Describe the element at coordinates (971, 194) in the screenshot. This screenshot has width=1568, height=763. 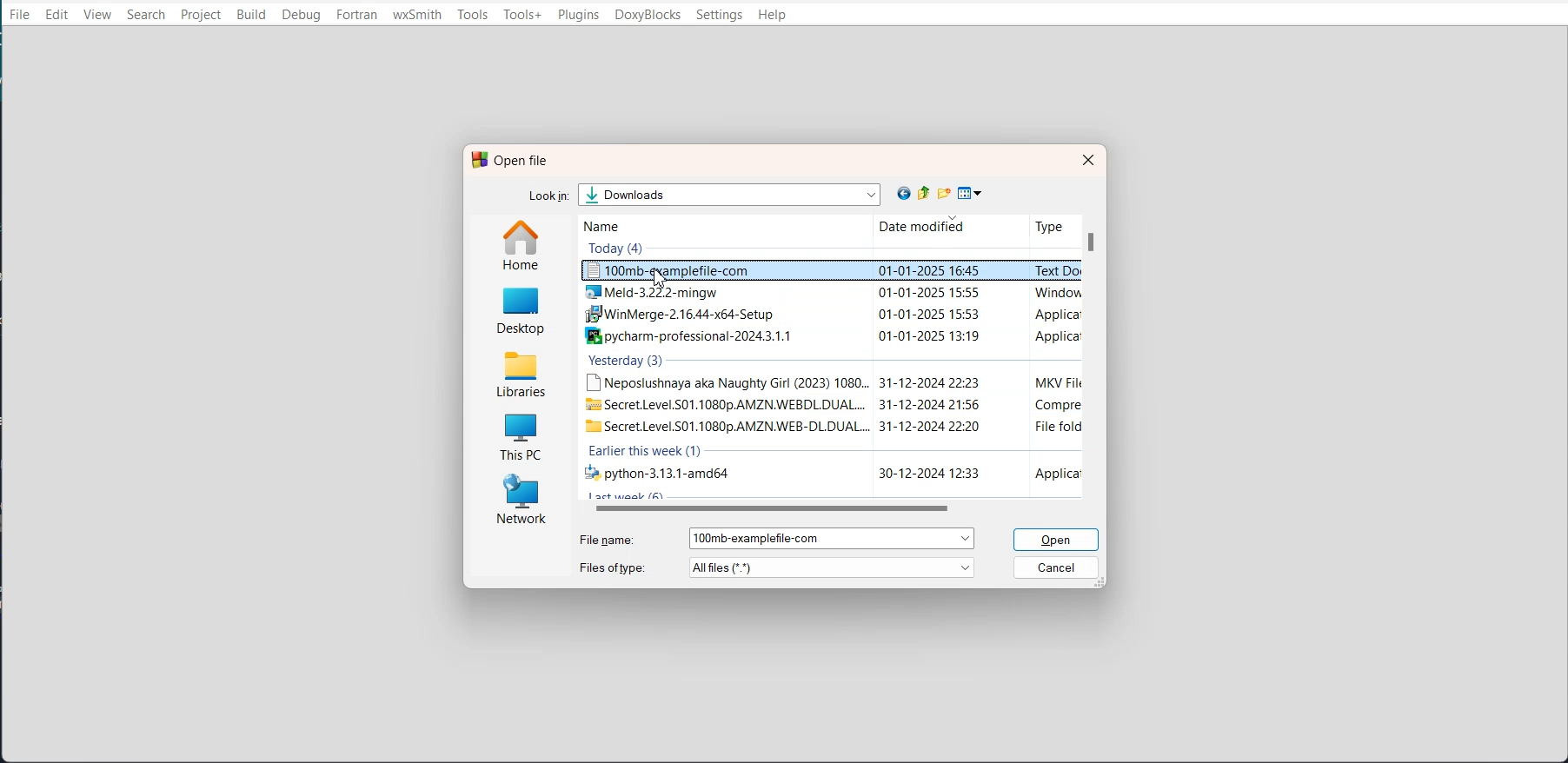
I see `View menu` at that location.